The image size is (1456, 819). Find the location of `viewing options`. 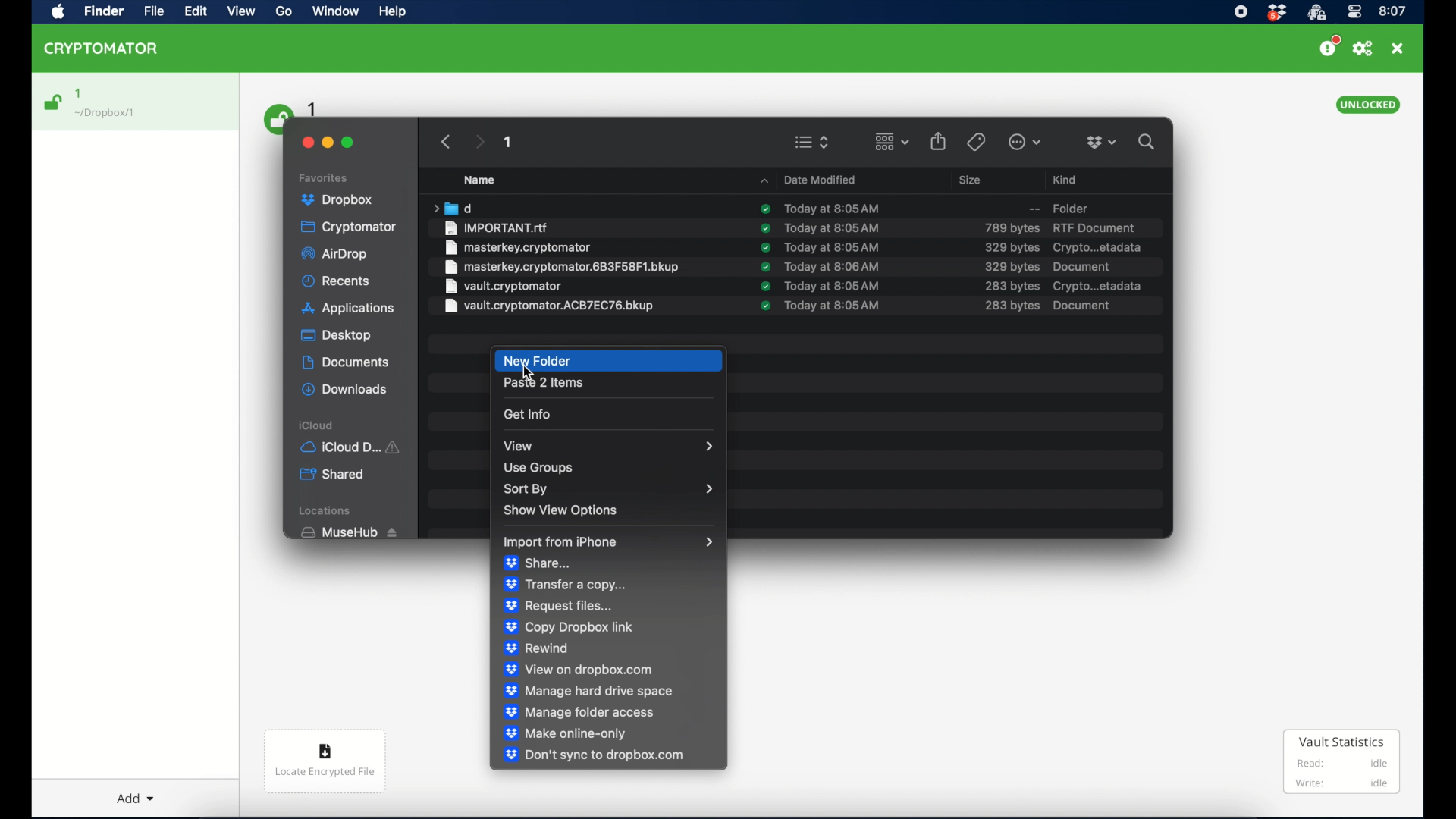

viewing options is located at coordinates (812, 142).